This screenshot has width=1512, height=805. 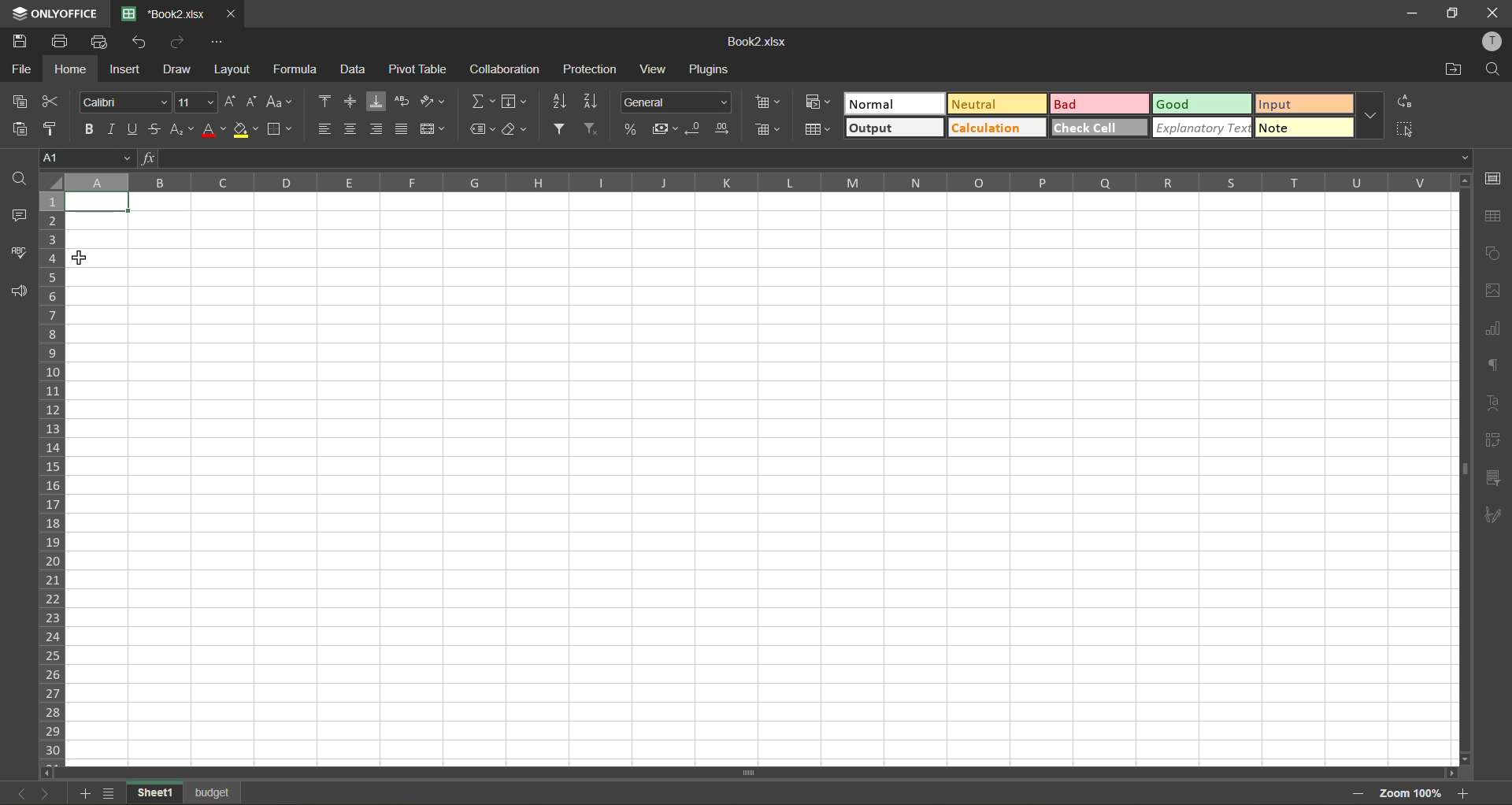 I want to click on zoom out, so click(x=1355, y=793).